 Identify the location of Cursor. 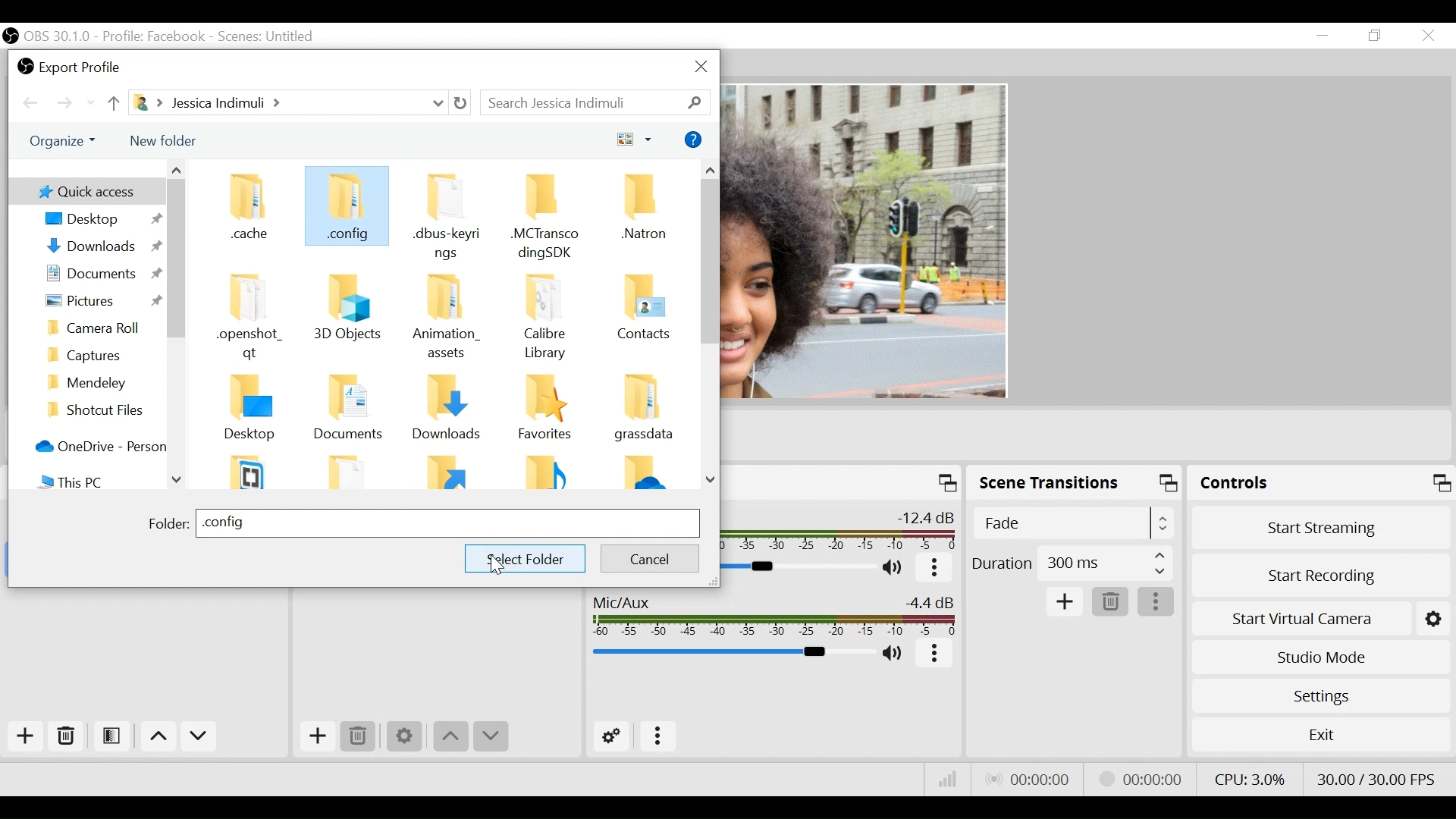
(500, 565).